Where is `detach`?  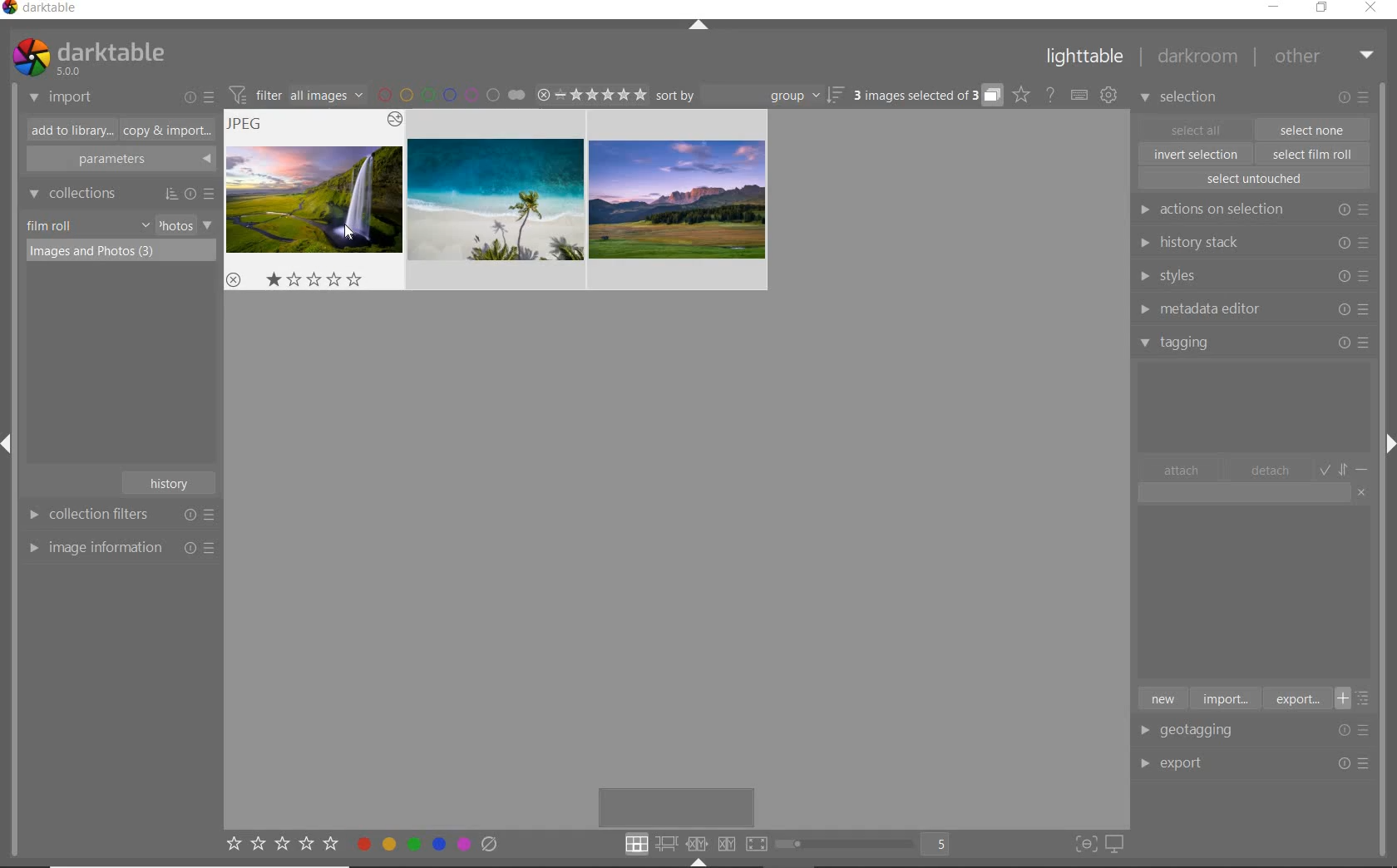
detach is located at coordinates (1271, 471).